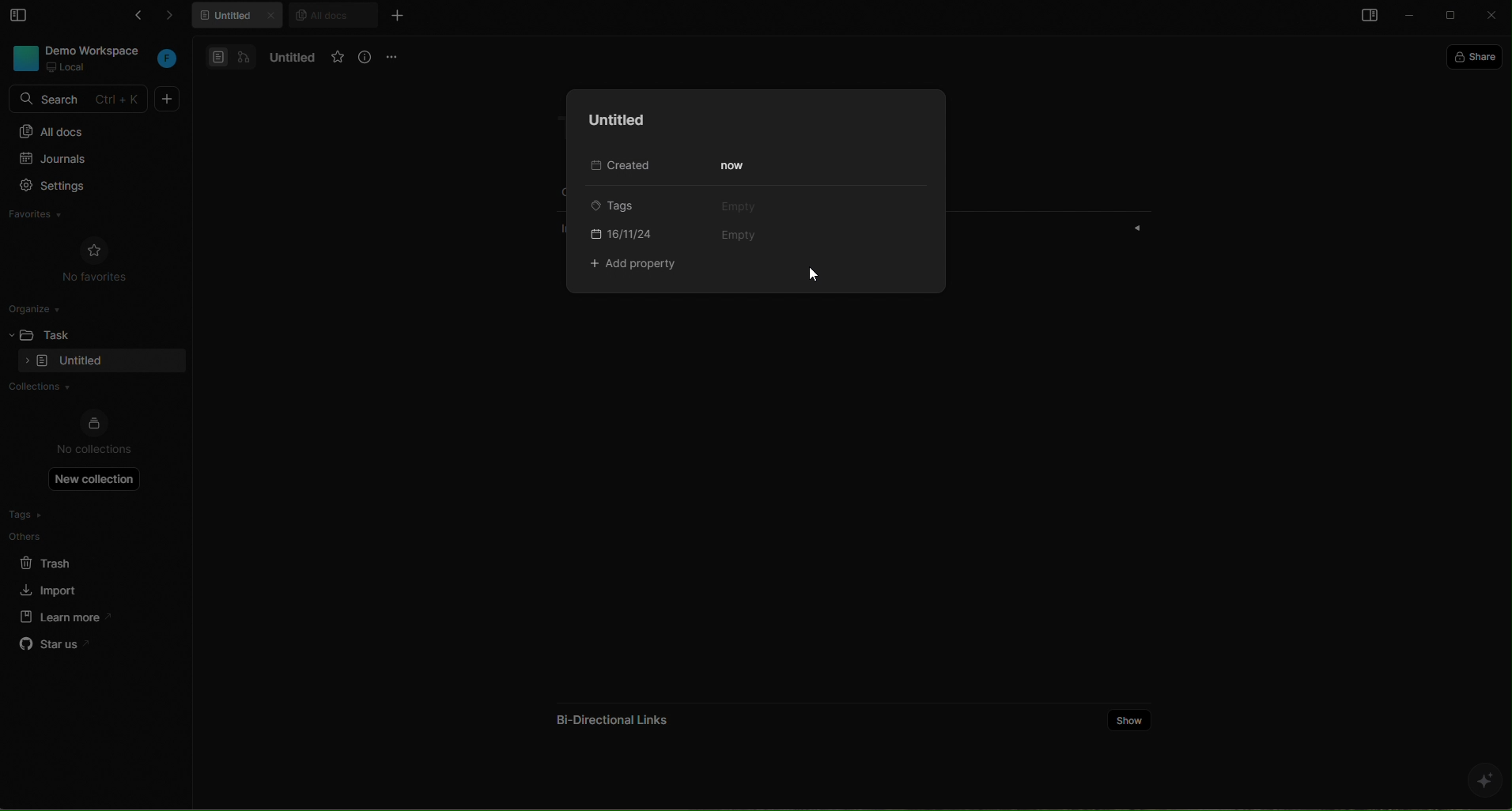 Image resolution: width=1512 pixels, height=811 pixels. What do you see at coordinates (168, 60) in the screenshot?
I see `workspace initial` at bounding box center [168, 60].